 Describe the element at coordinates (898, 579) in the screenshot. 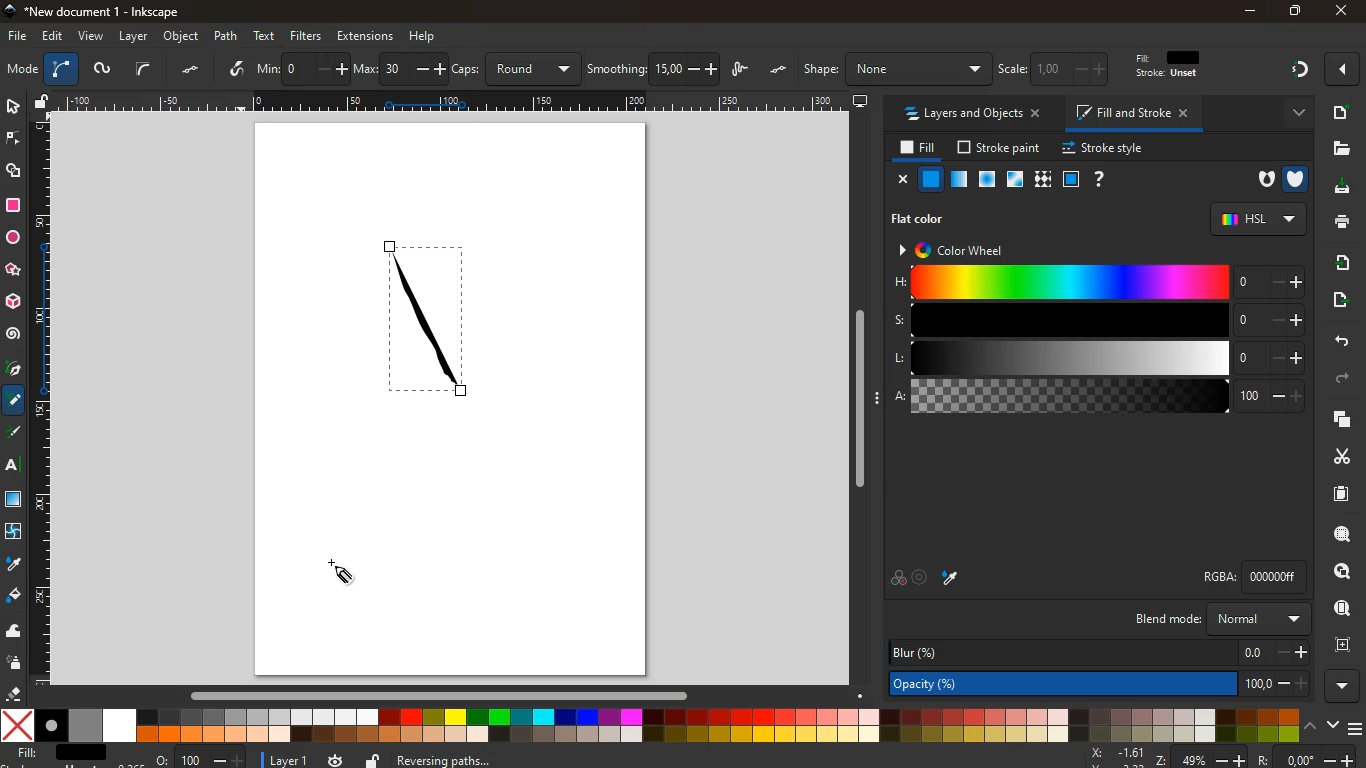

I see `overlap` at that location.